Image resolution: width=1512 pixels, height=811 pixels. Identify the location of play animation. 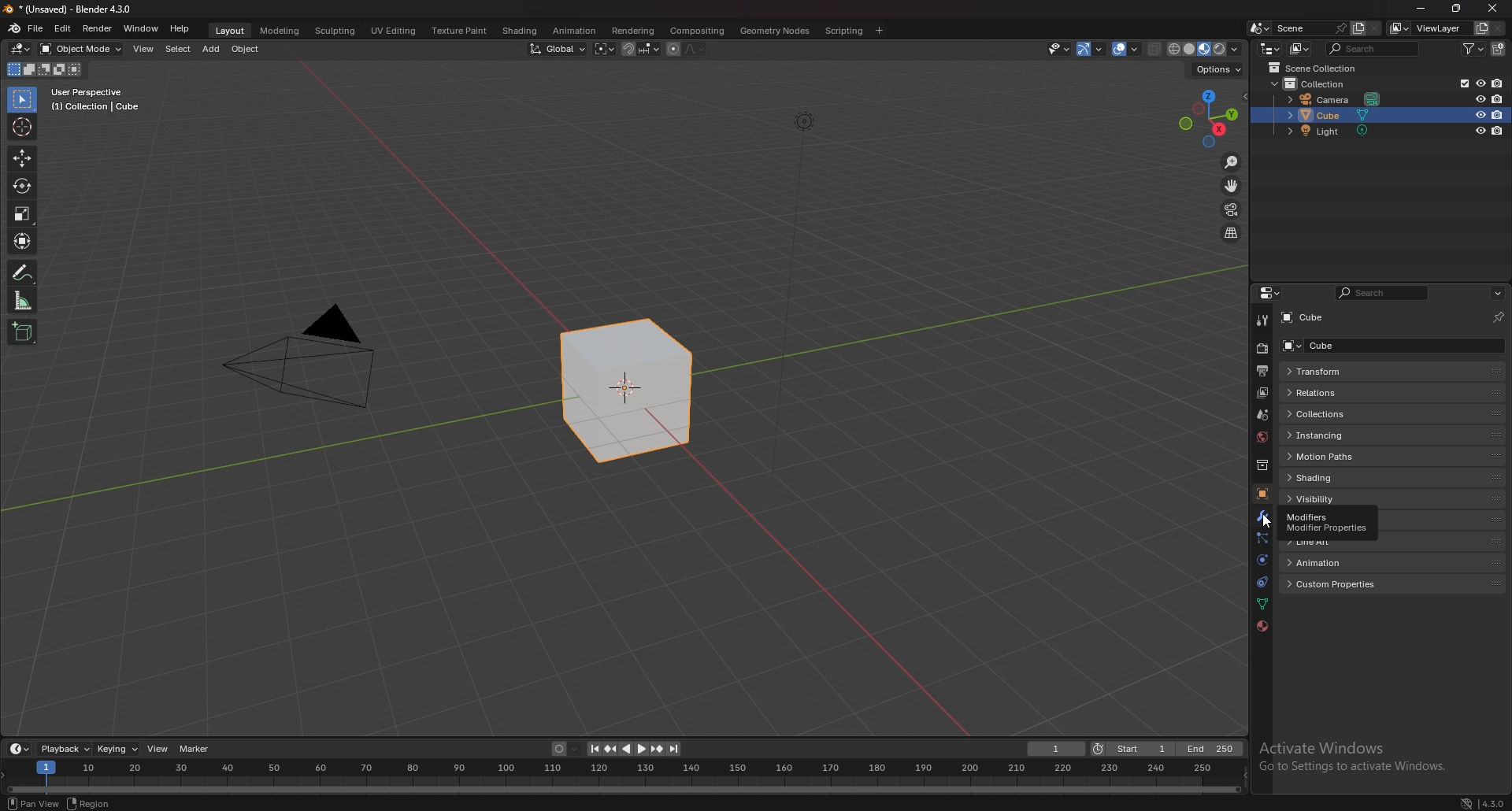
(635, 749).